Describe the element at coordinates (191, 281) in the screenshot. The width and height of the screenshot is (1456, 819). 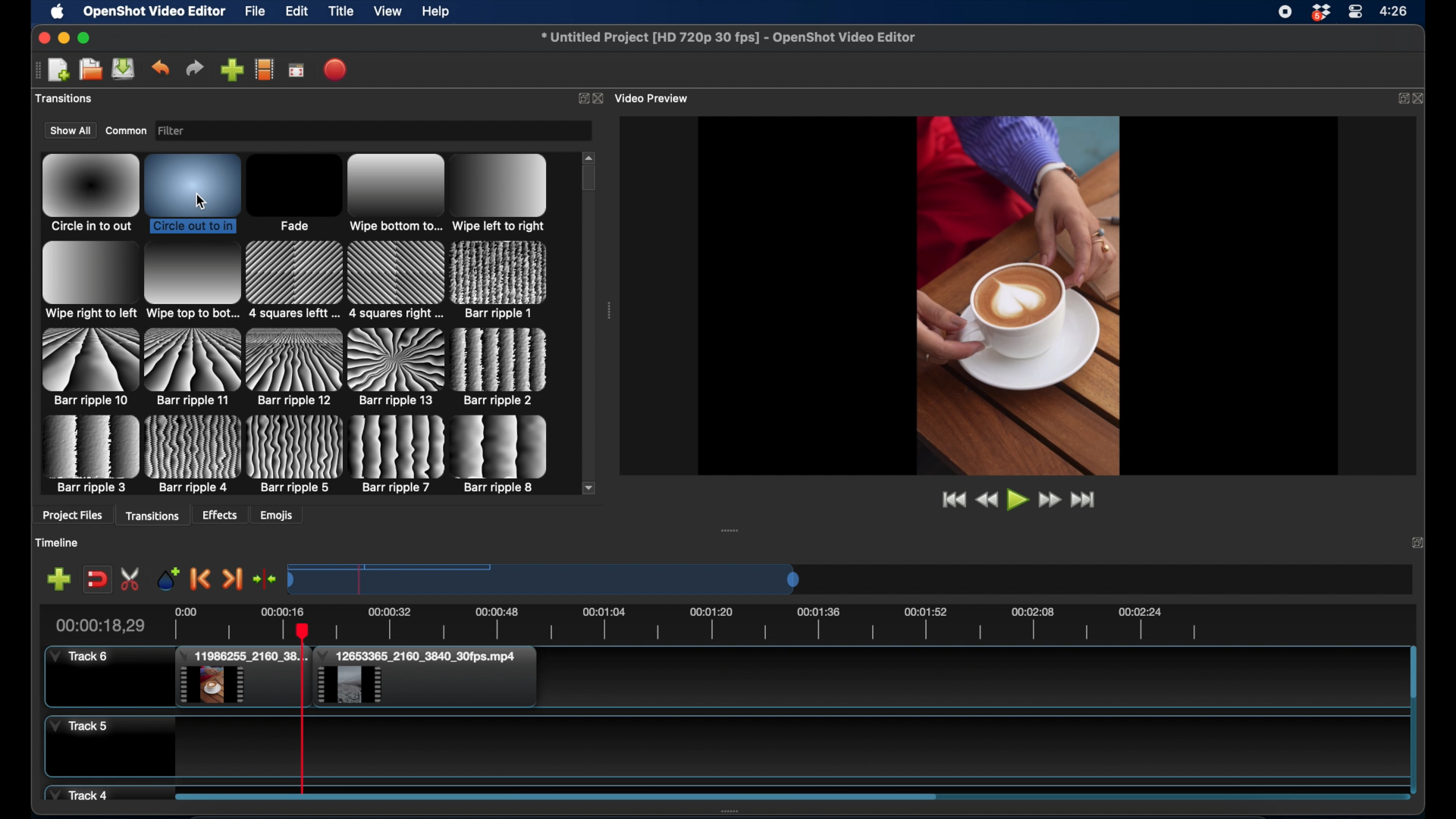
I see `transition` at that location.